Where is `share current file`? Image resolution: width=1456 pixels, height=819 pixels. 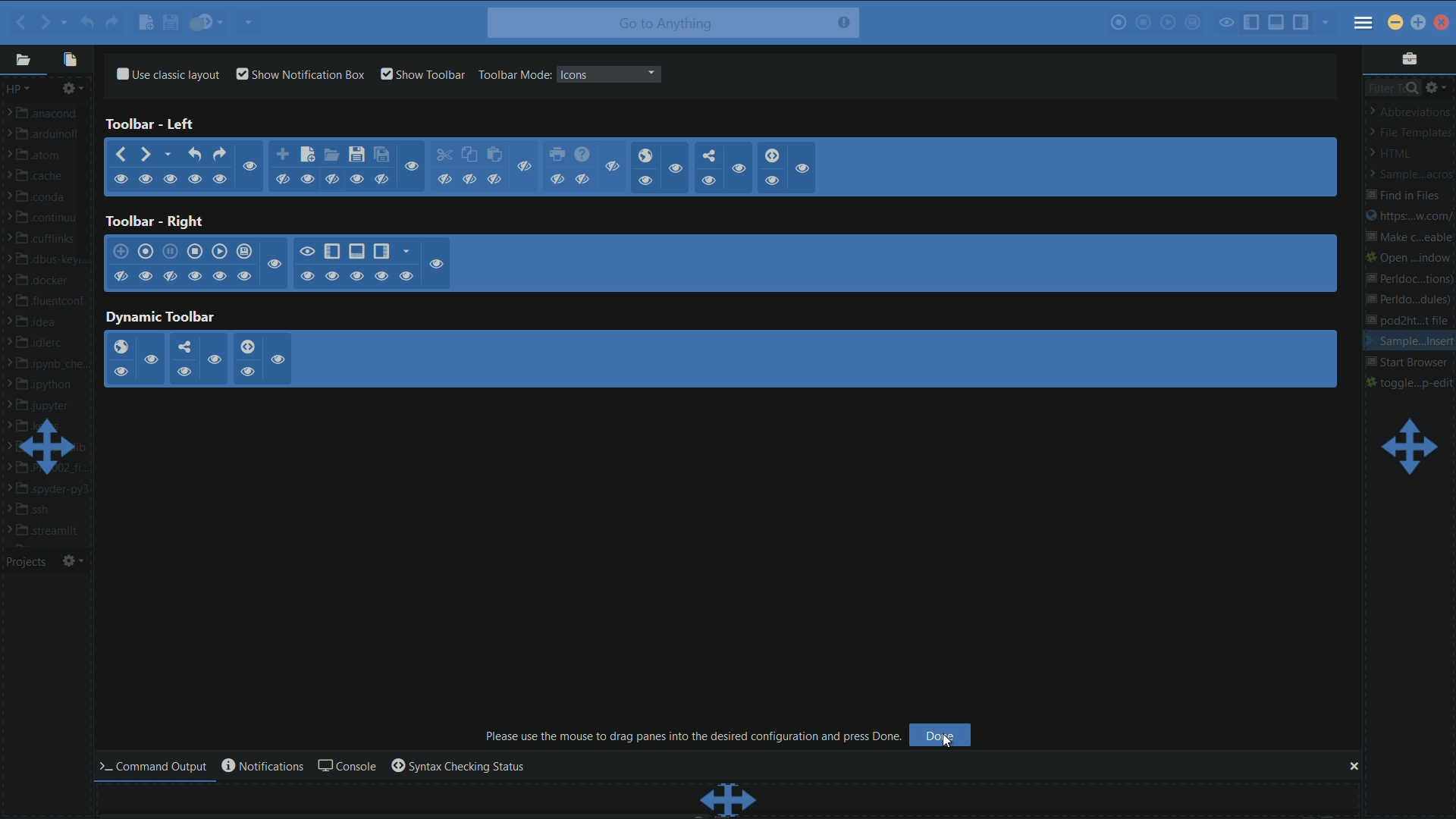
share current file is located at coordinates (710, 155).